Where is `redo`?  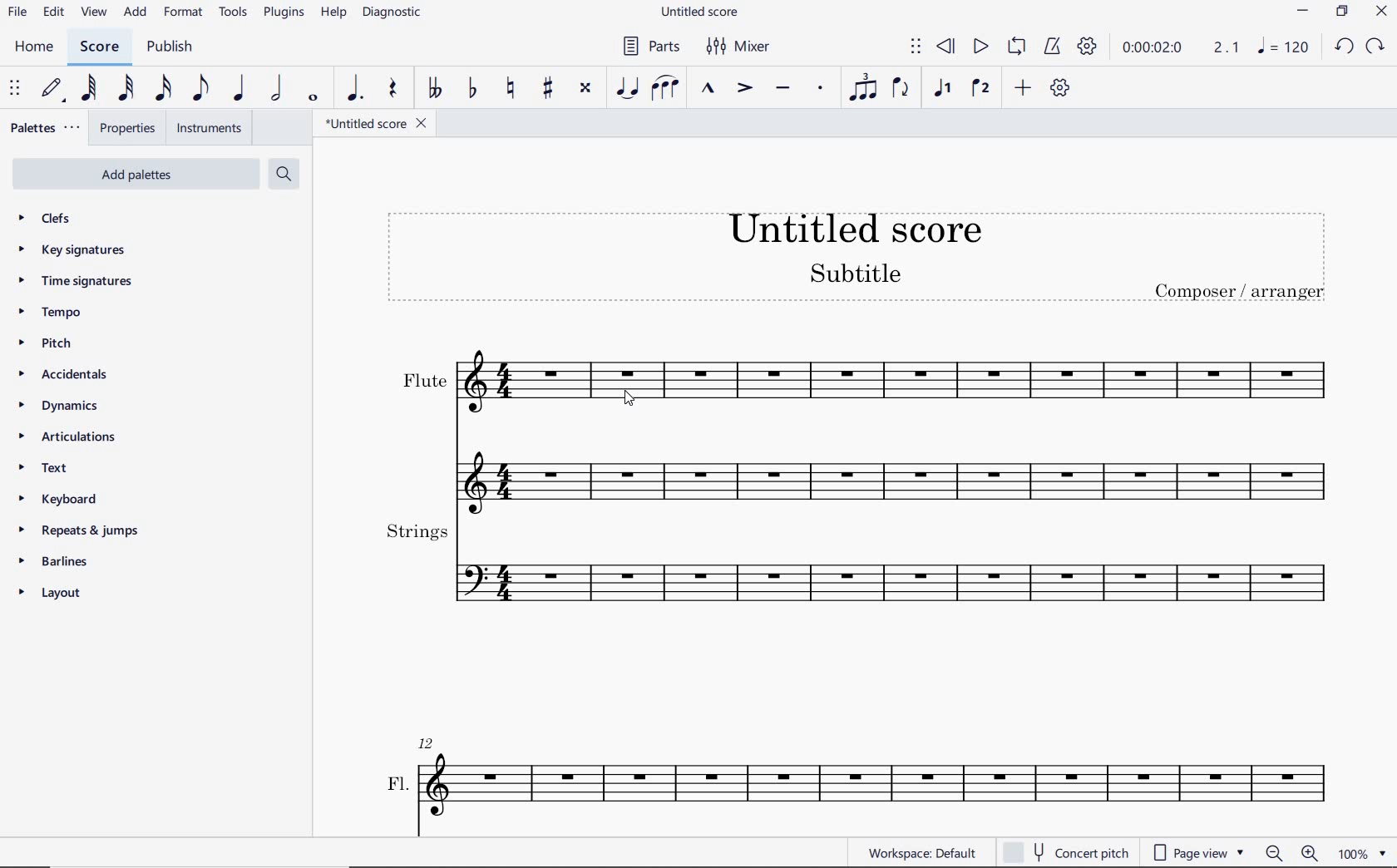
redo is located at coordinates (1378, 45).